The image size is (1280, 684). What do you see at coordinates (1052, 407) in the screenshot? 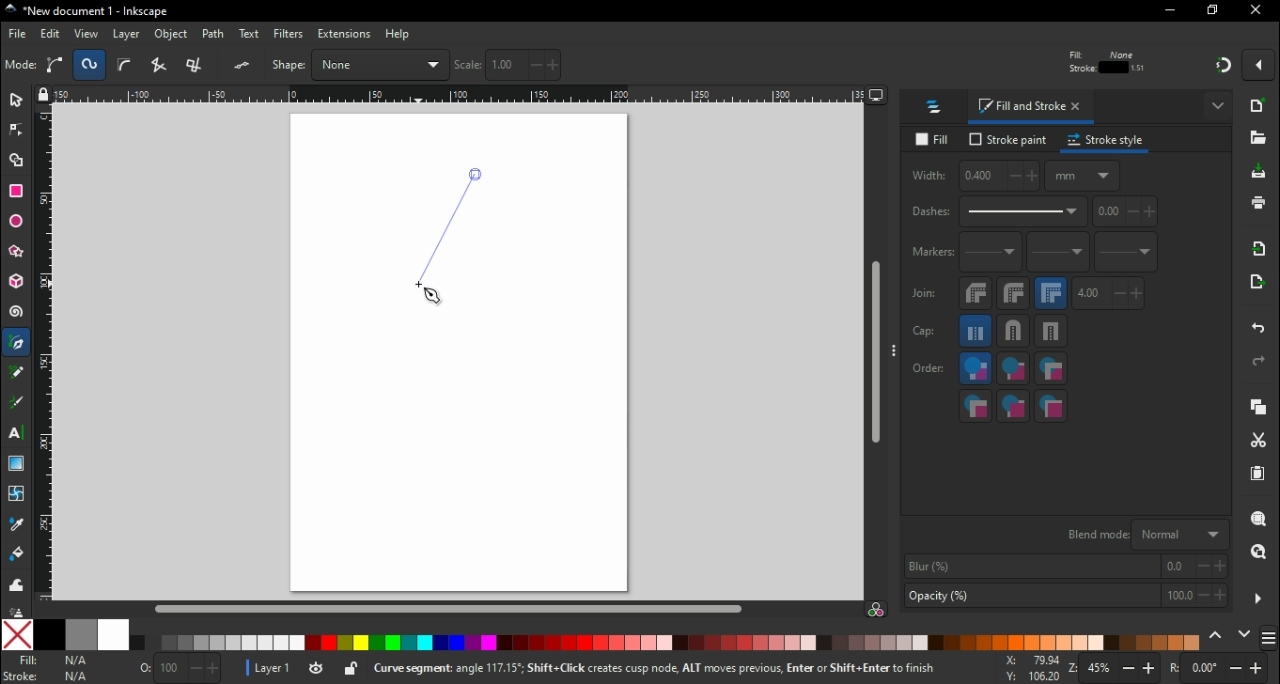
I see `markers, stoke, fills` at bounding box center [1052, 407].